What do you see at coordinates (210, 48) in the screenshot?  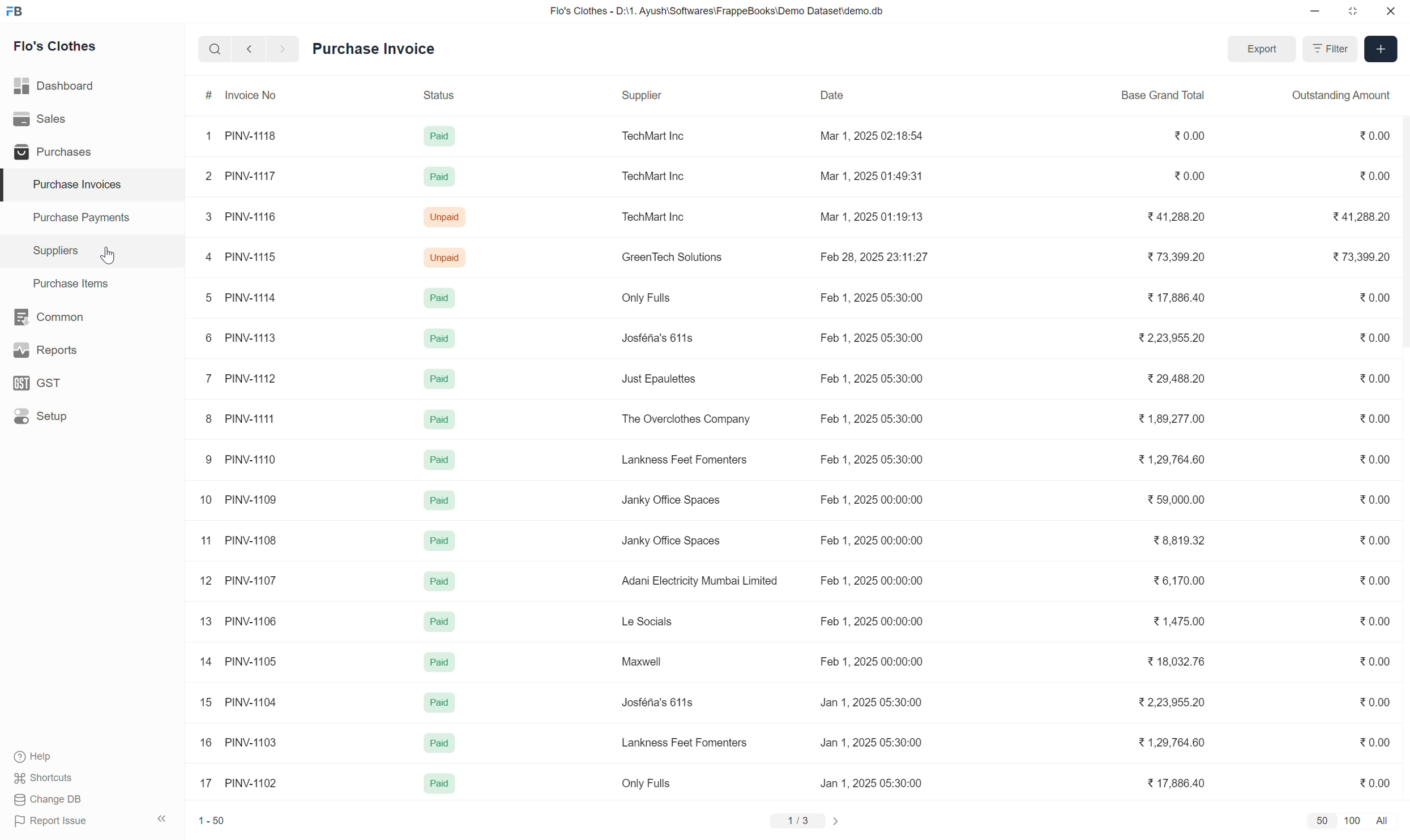 I see `search` at bounding box center [210, 48].